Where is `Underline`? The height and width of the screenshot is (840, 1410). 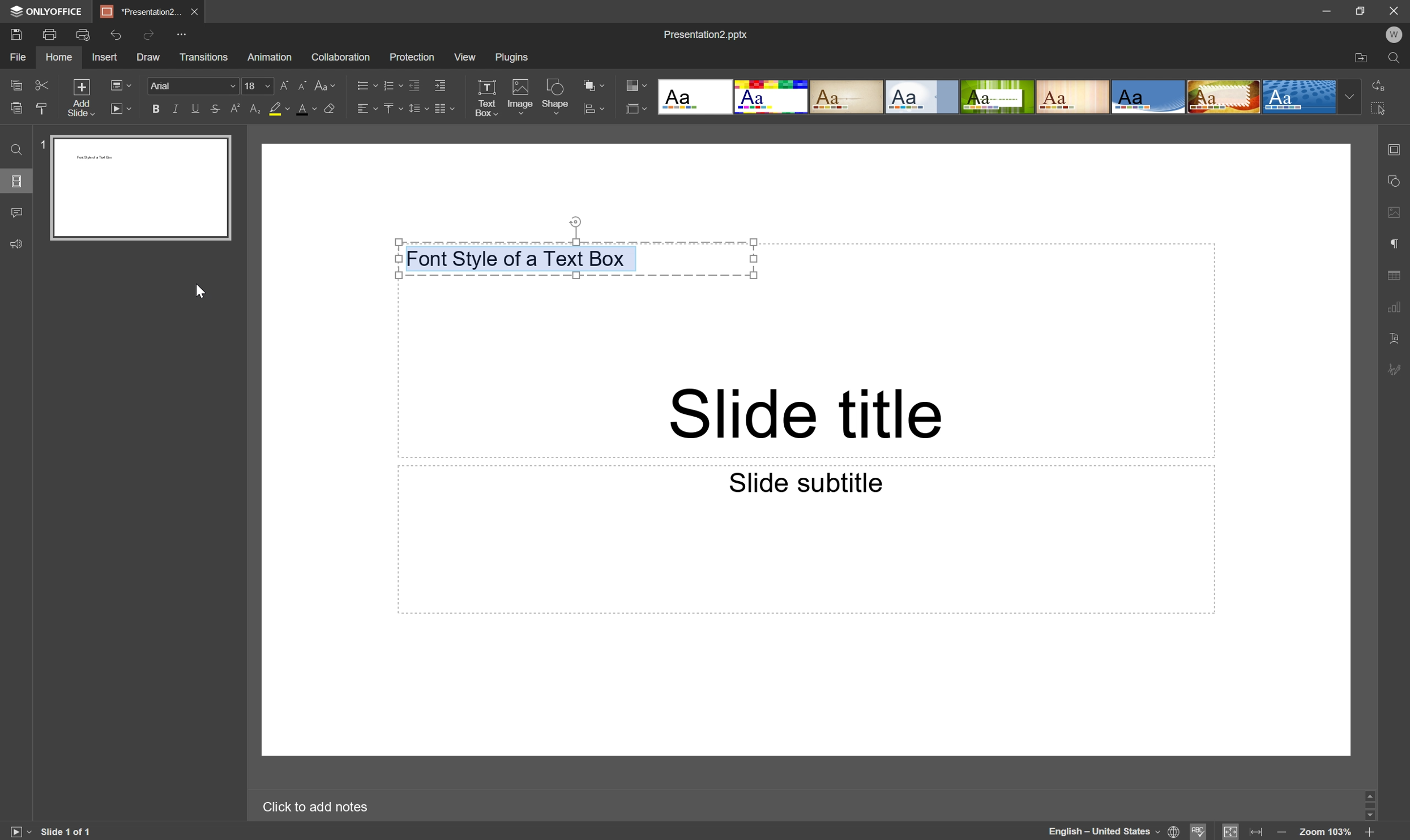
Underline is located at coordinates (196, 107).